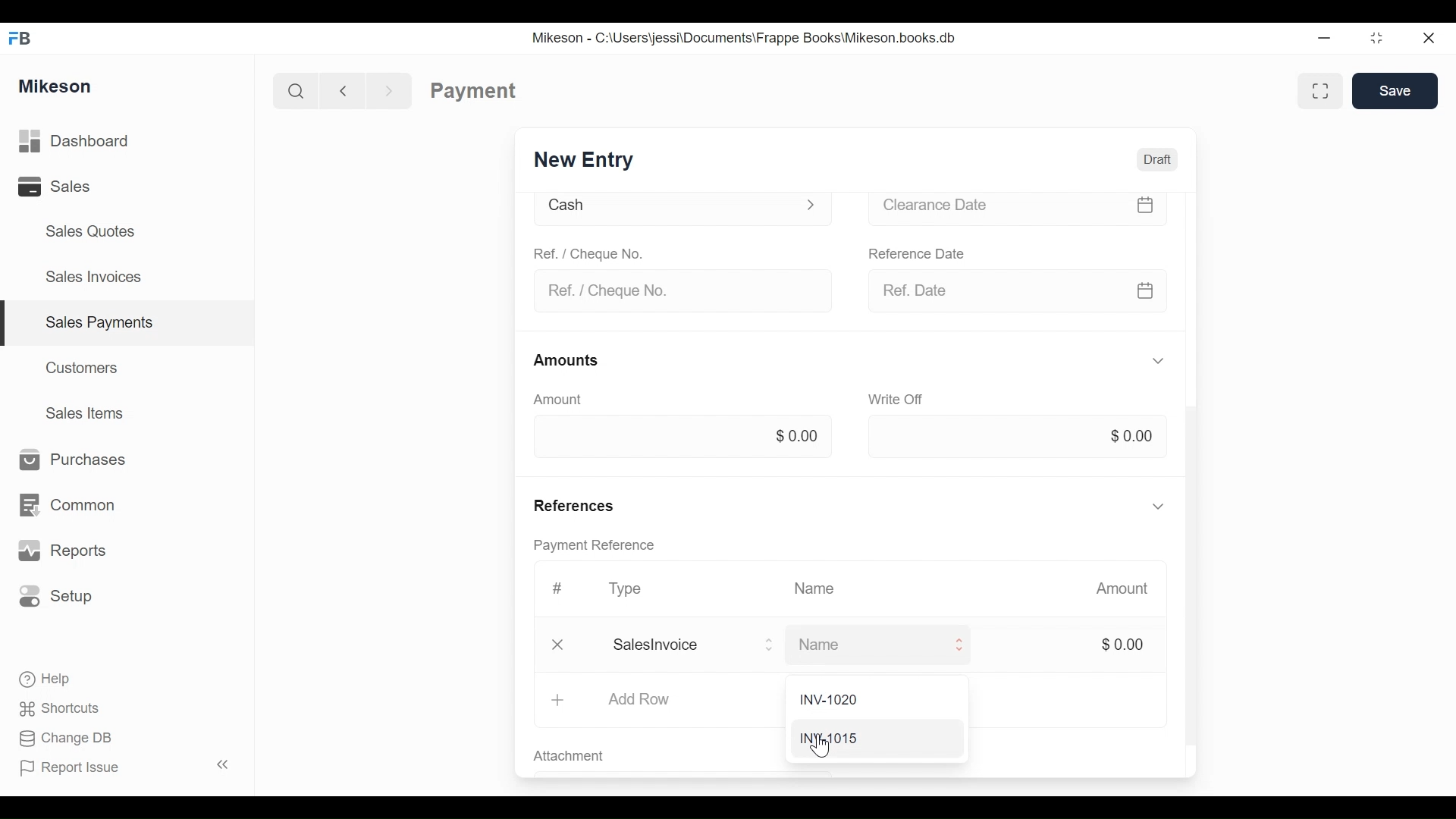 The width and height of the screenshot is (1456, 819). I want to click on Sales payments, so click(102, 322).